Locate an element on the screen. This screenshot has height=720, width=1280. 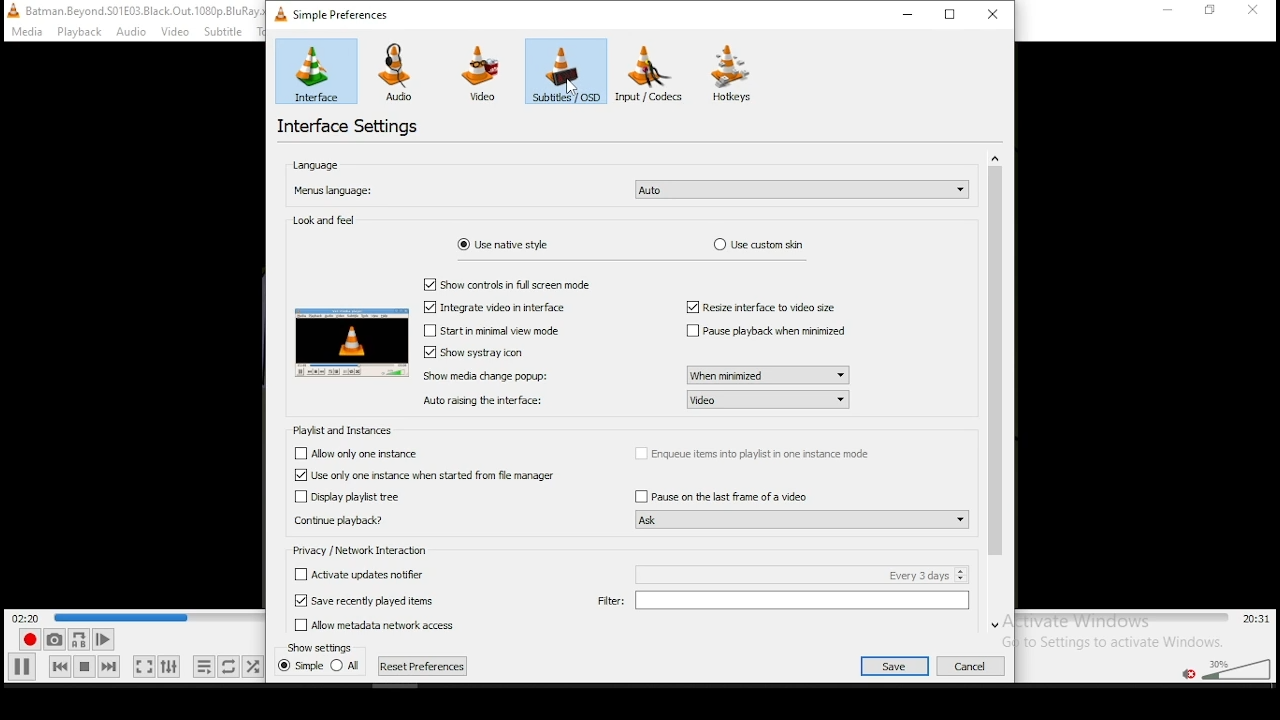
volume is located at coordinates (1238, 667).